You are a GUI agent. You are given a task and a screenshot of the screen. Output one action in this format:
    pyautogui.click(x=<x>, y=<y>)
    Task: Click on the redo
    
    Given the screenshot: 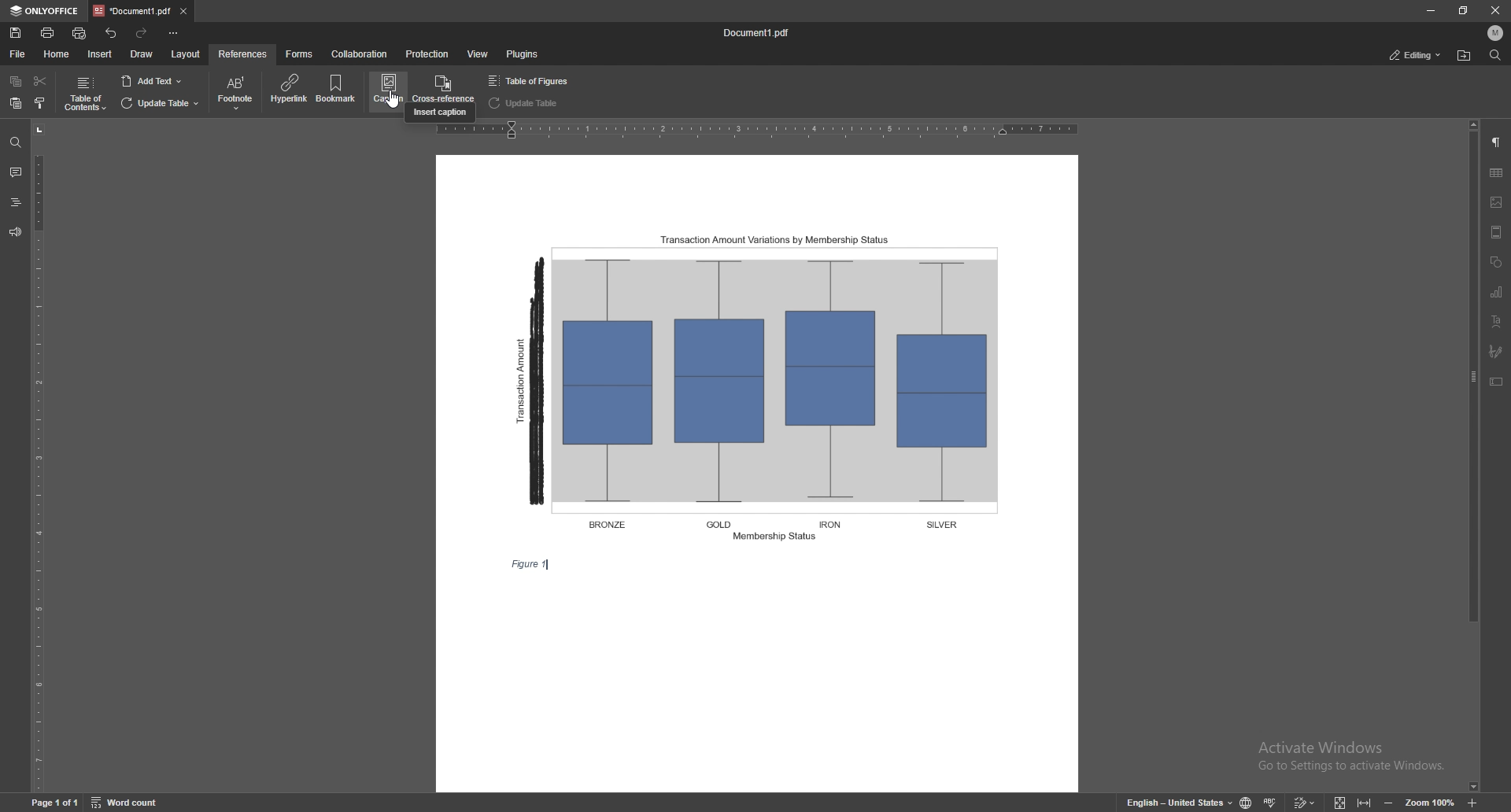 What is the action you would take?
    pyautogui.click(x=142, y=34)
    